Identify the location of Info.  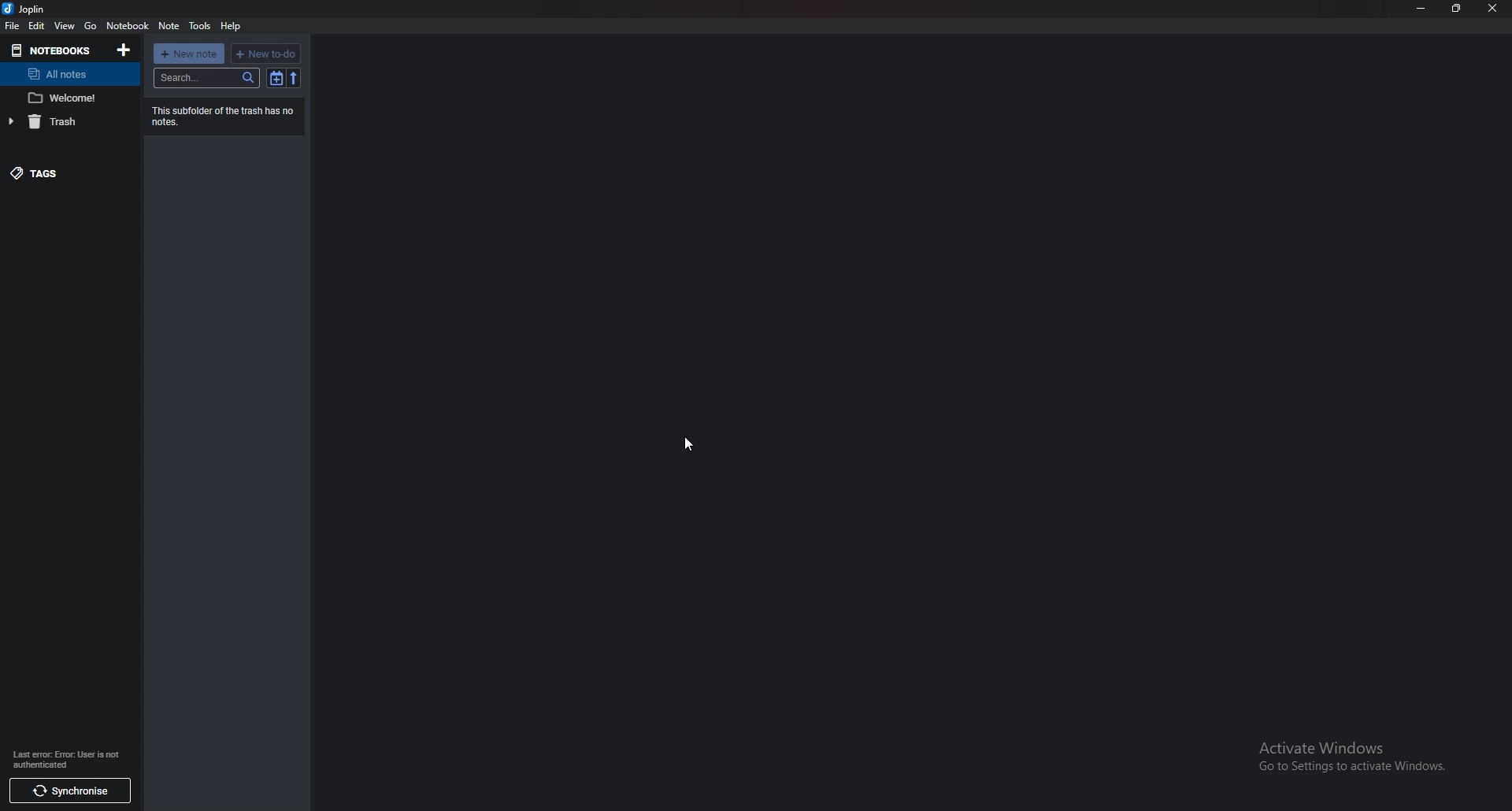
(227, 116).